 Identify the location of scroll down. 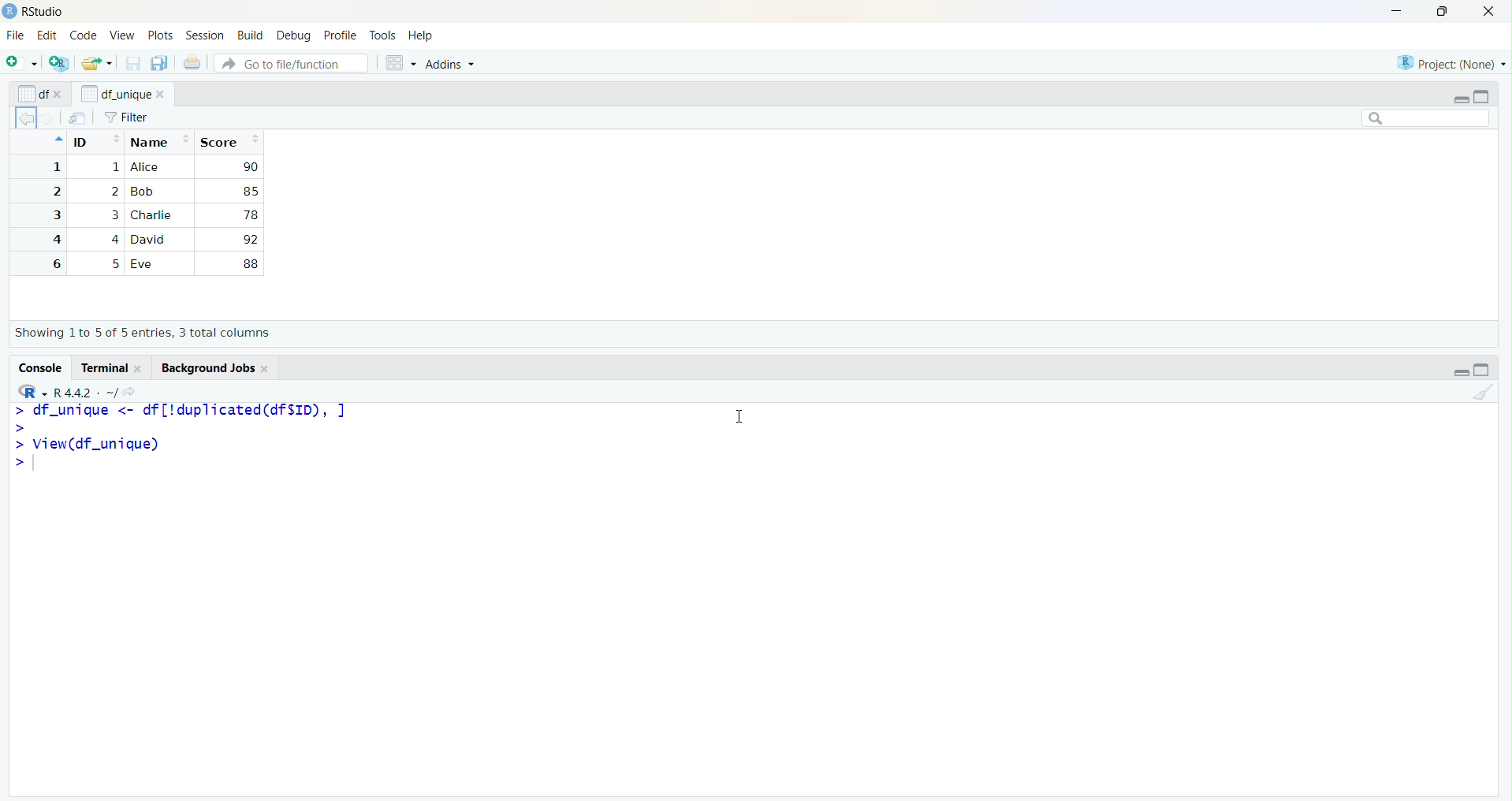
(1491, 311).